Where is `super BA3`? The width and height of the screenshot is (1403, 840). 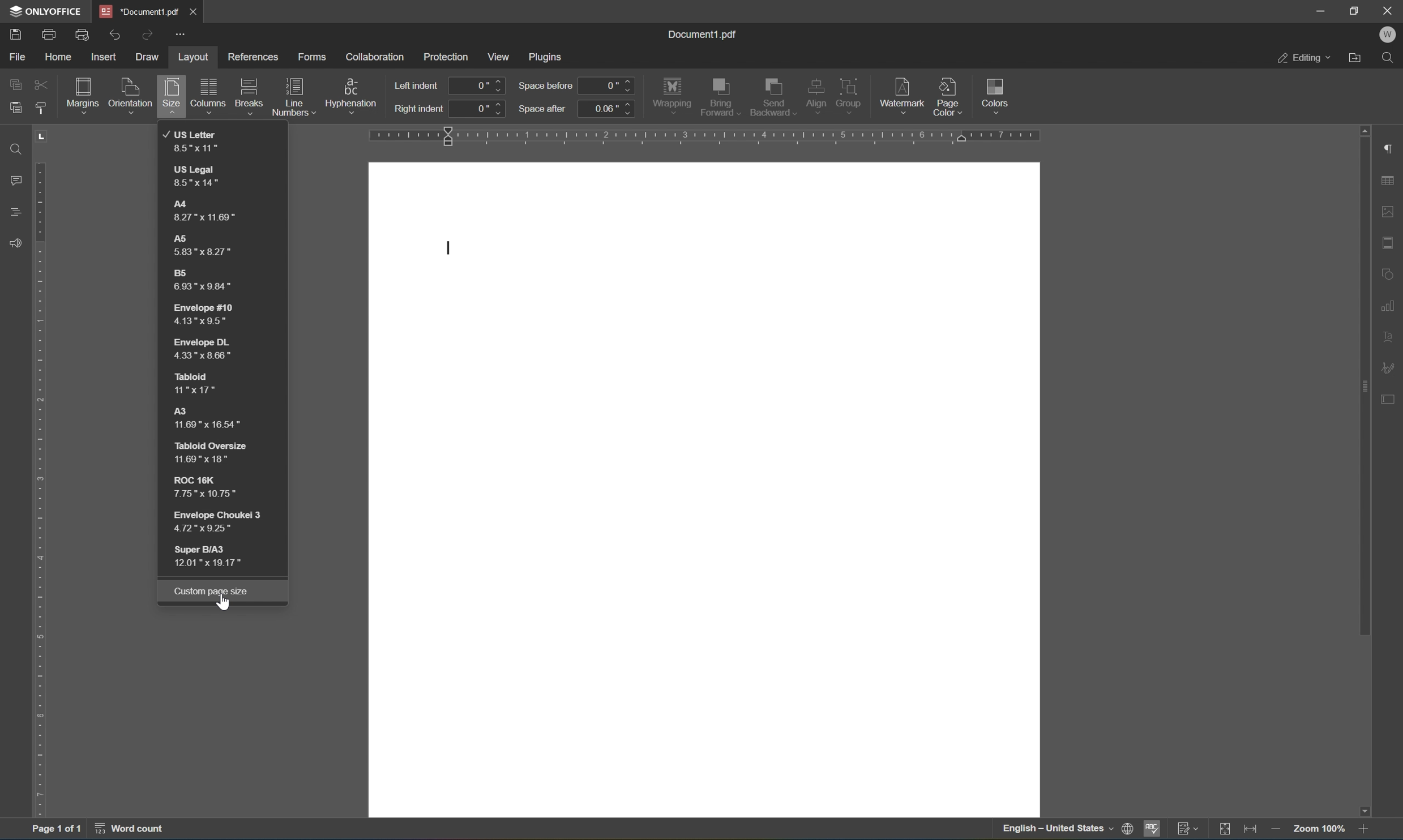
super BA3 is located at coordinates (217, 556).